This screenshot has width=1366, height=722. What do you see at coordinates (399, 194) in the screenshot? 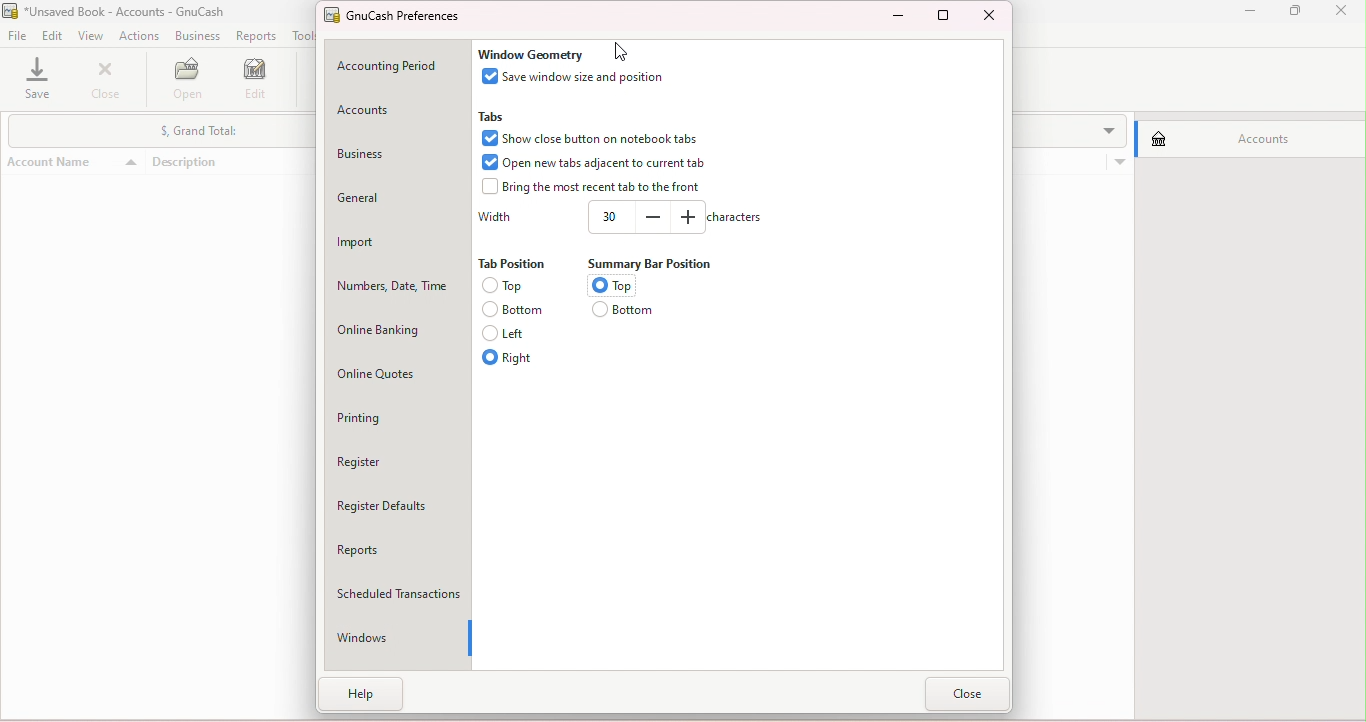
I see `General` at bounding box center [399, 194].